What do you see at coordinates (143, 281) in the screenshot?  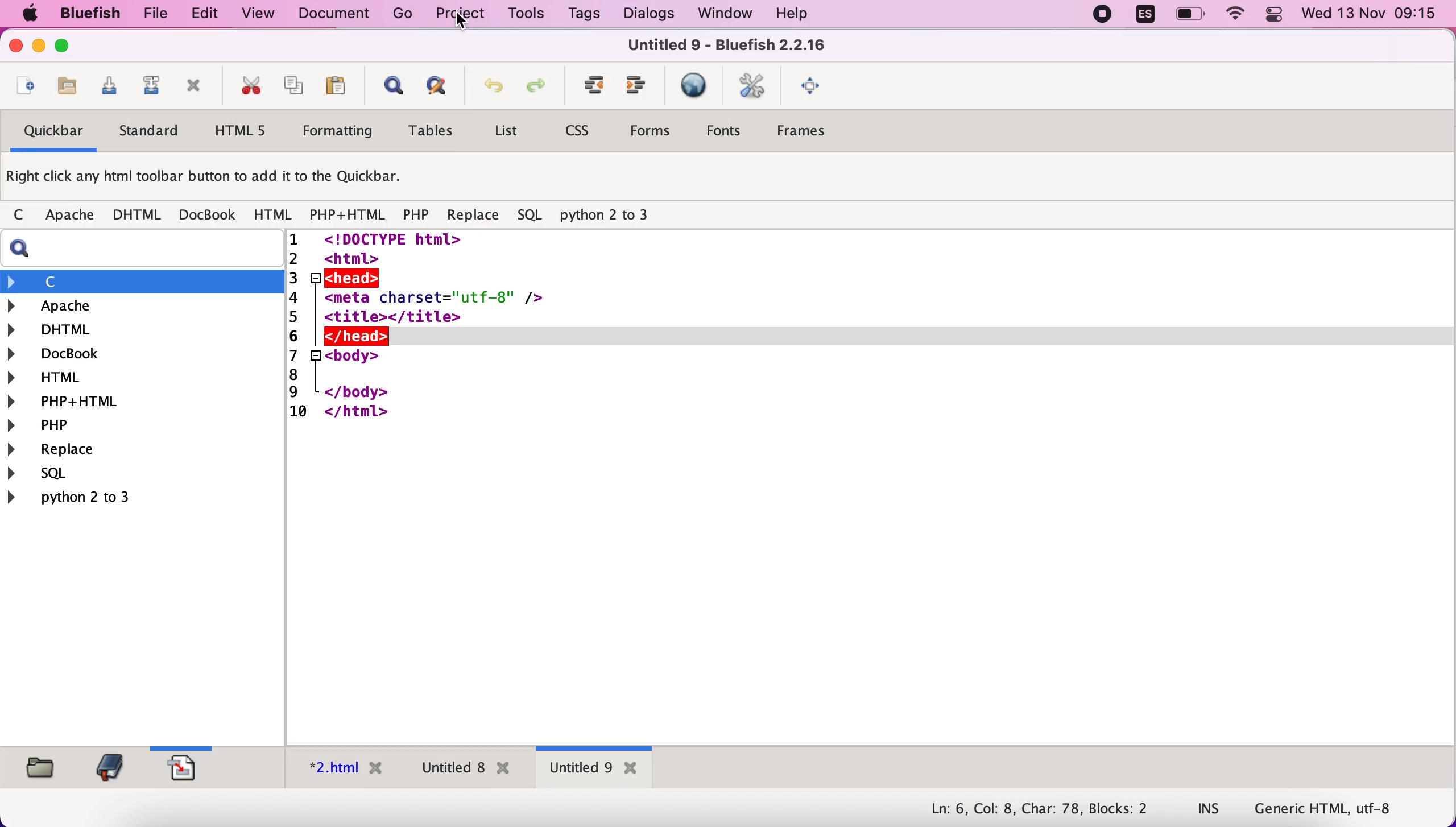 I see `c` at bounding box center [143, 281].